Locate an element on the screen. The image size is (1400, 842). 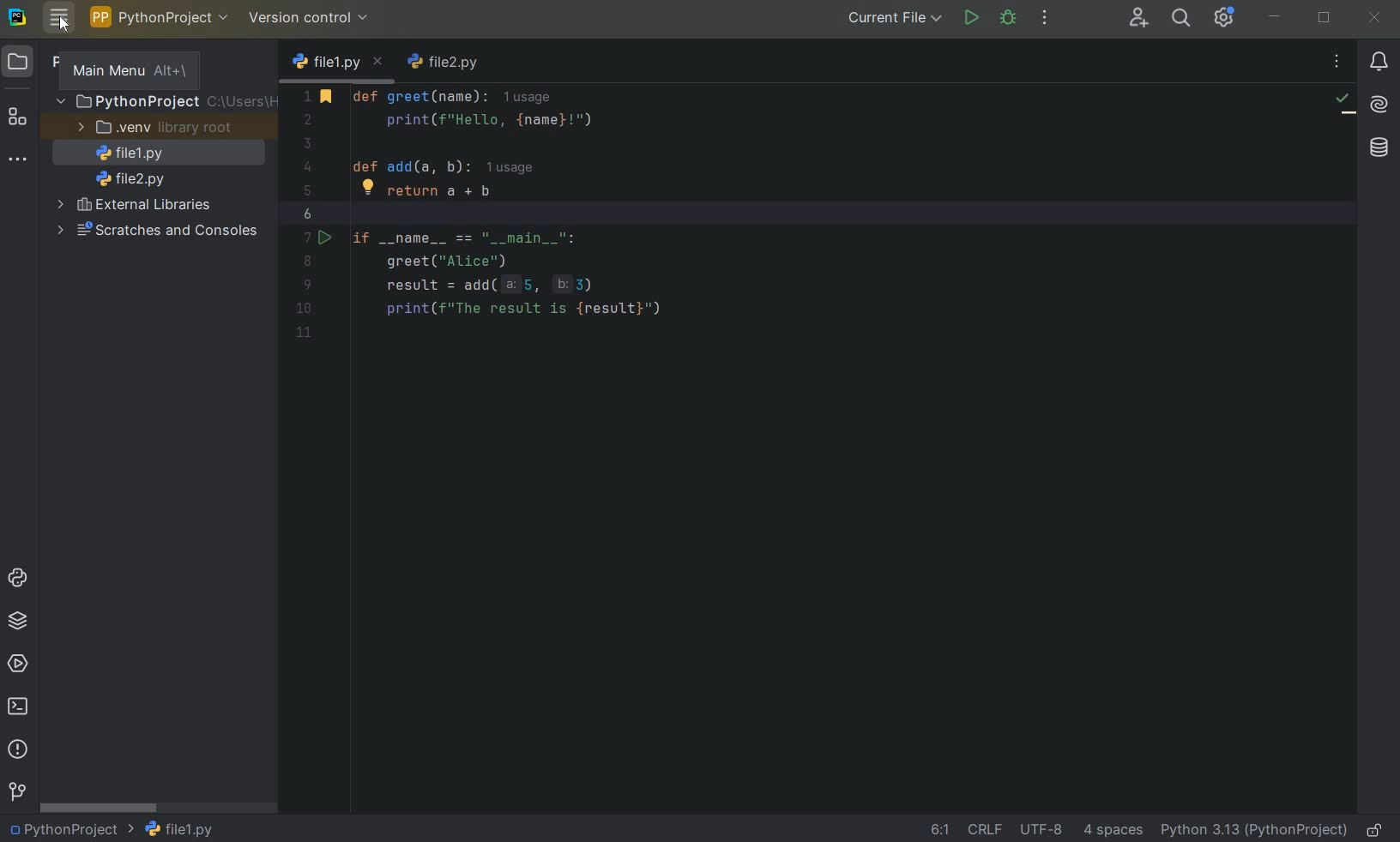
search everywhere is located at coordinates (1182, 17).